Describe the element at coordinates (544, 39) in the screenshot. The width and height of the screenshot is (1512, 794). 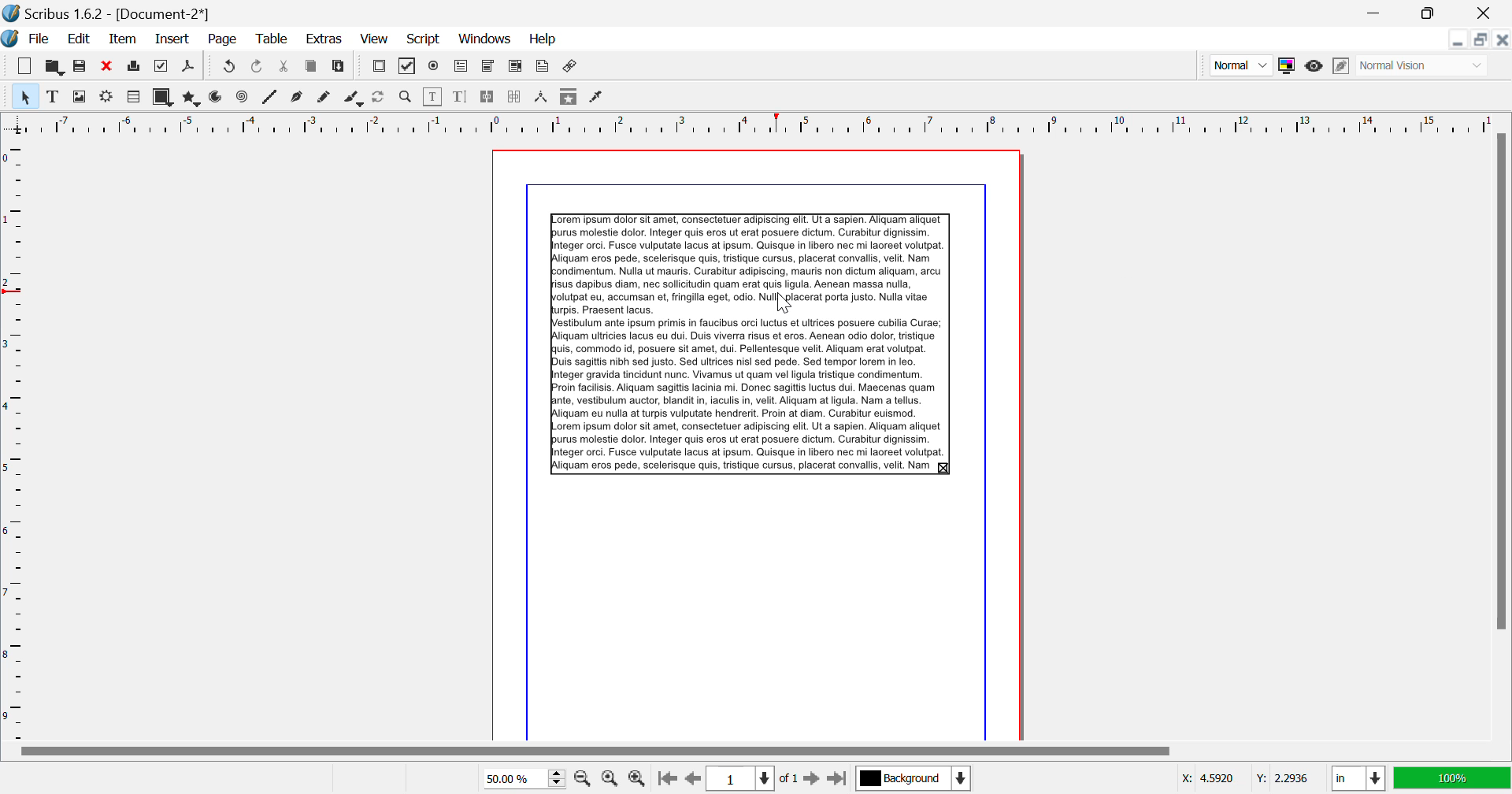
I see `Help` at that location.